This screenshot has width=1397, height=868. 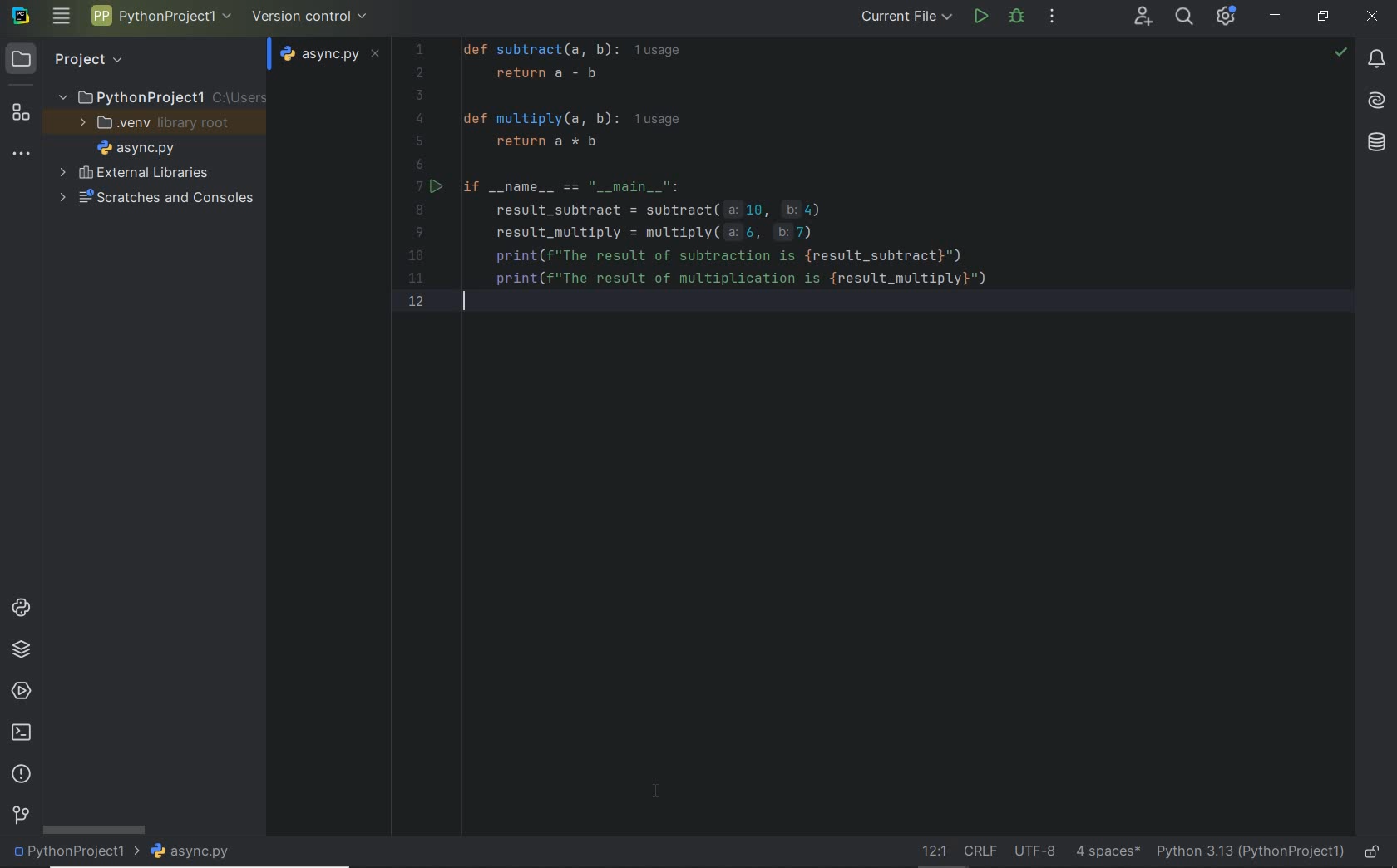 What do you see at coordinates (1017, 17) in the screenshot?
I see `debug` at bounding box center [1017, 17].